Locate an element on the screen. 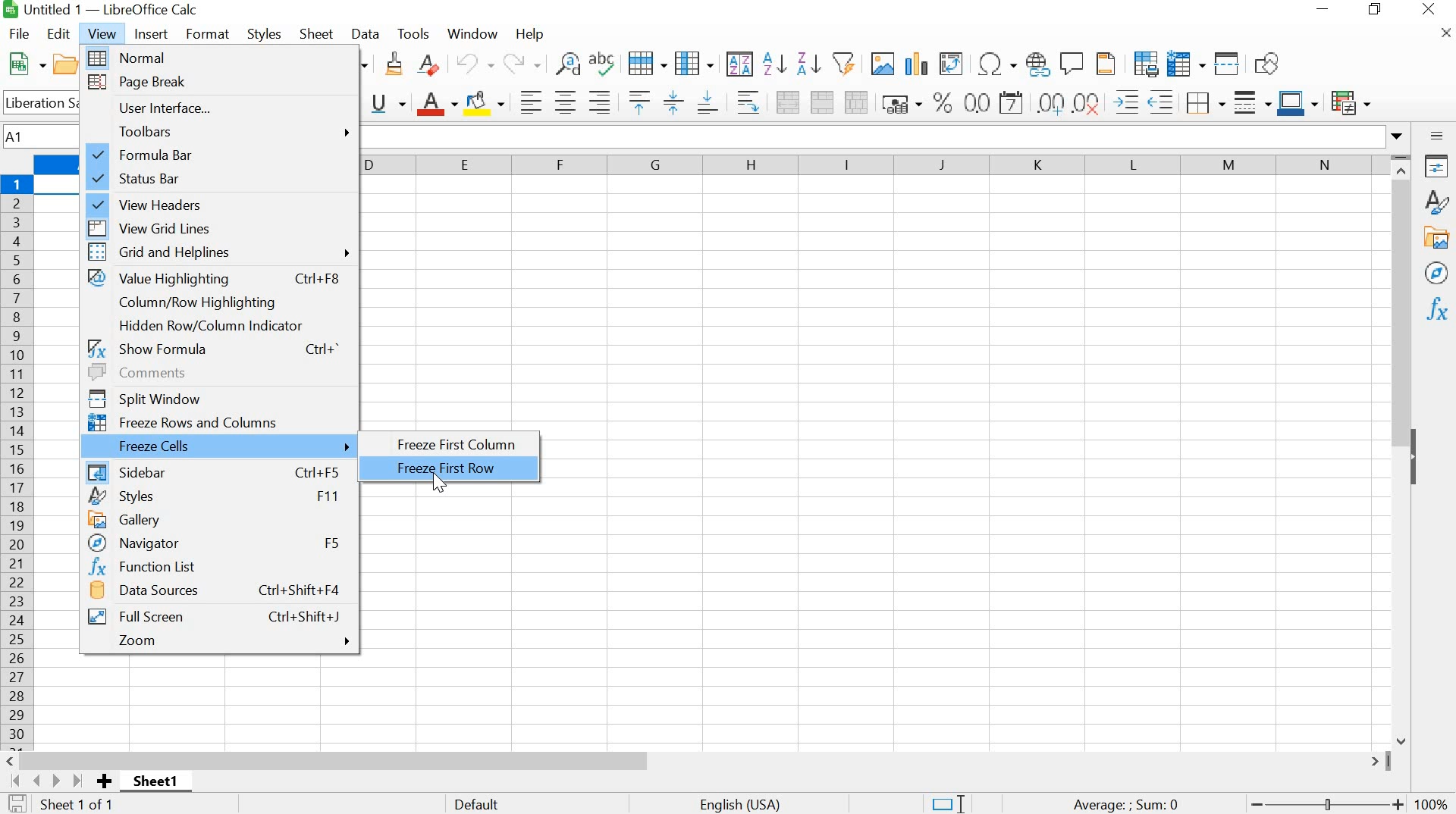  BORDER STYLE is located at coordinates (1250, 102).